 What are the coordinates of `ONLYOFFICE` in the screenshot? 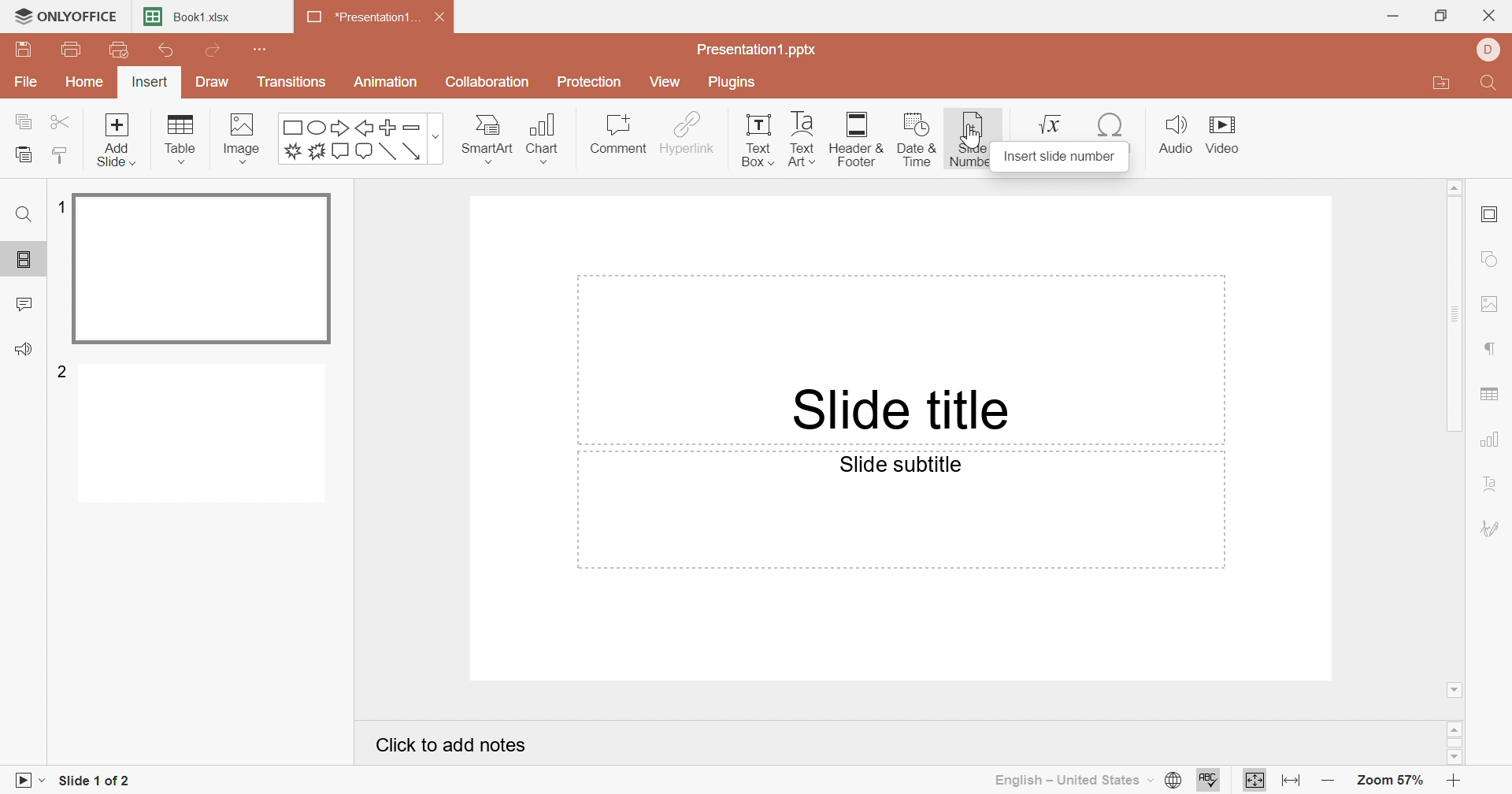 It's located at (65, 14).